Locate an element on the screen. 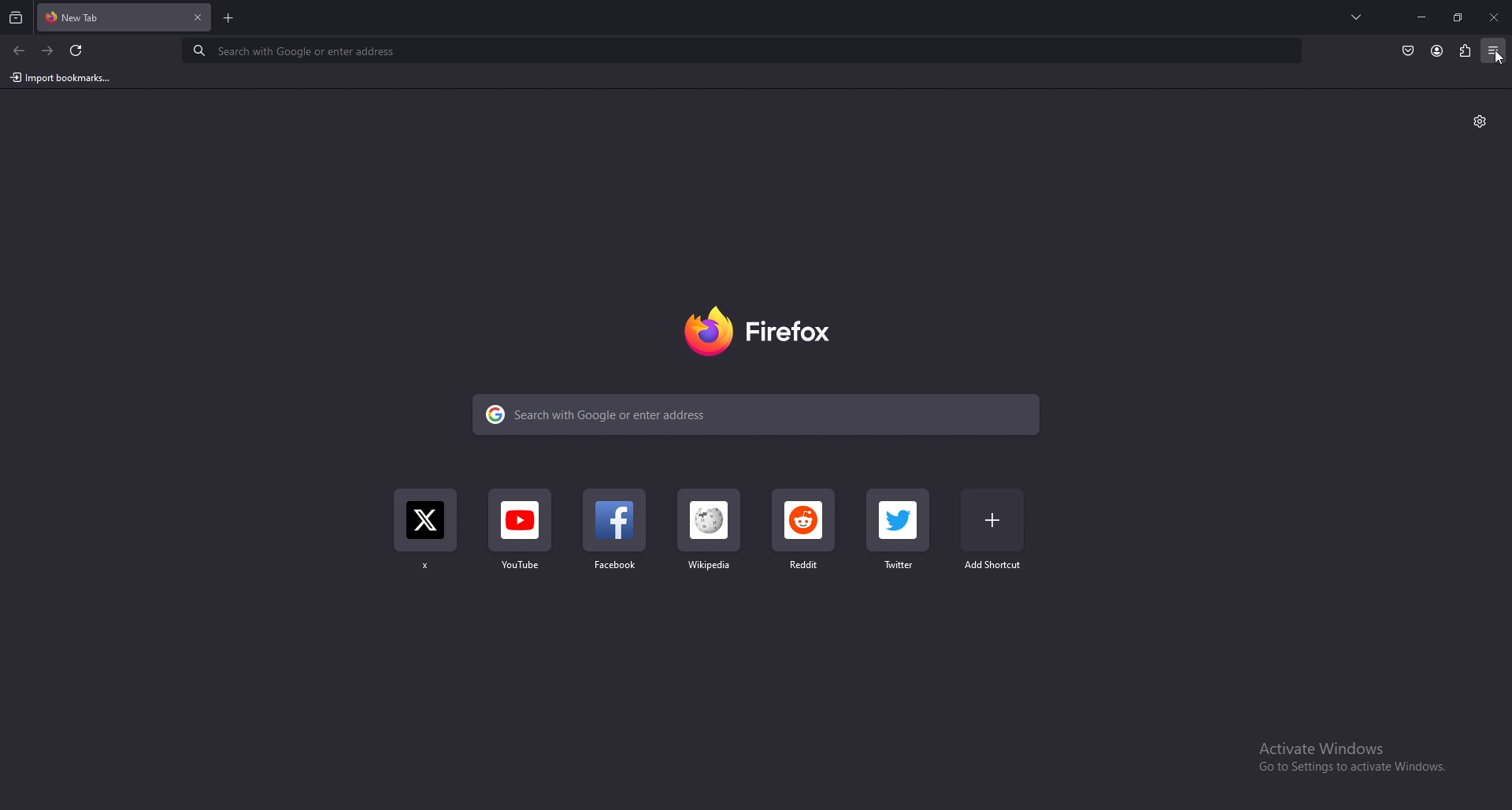 Image resolution: width=1512 pixels, height=810 pixels. list all tabs is located at coordinates (1356, 17).